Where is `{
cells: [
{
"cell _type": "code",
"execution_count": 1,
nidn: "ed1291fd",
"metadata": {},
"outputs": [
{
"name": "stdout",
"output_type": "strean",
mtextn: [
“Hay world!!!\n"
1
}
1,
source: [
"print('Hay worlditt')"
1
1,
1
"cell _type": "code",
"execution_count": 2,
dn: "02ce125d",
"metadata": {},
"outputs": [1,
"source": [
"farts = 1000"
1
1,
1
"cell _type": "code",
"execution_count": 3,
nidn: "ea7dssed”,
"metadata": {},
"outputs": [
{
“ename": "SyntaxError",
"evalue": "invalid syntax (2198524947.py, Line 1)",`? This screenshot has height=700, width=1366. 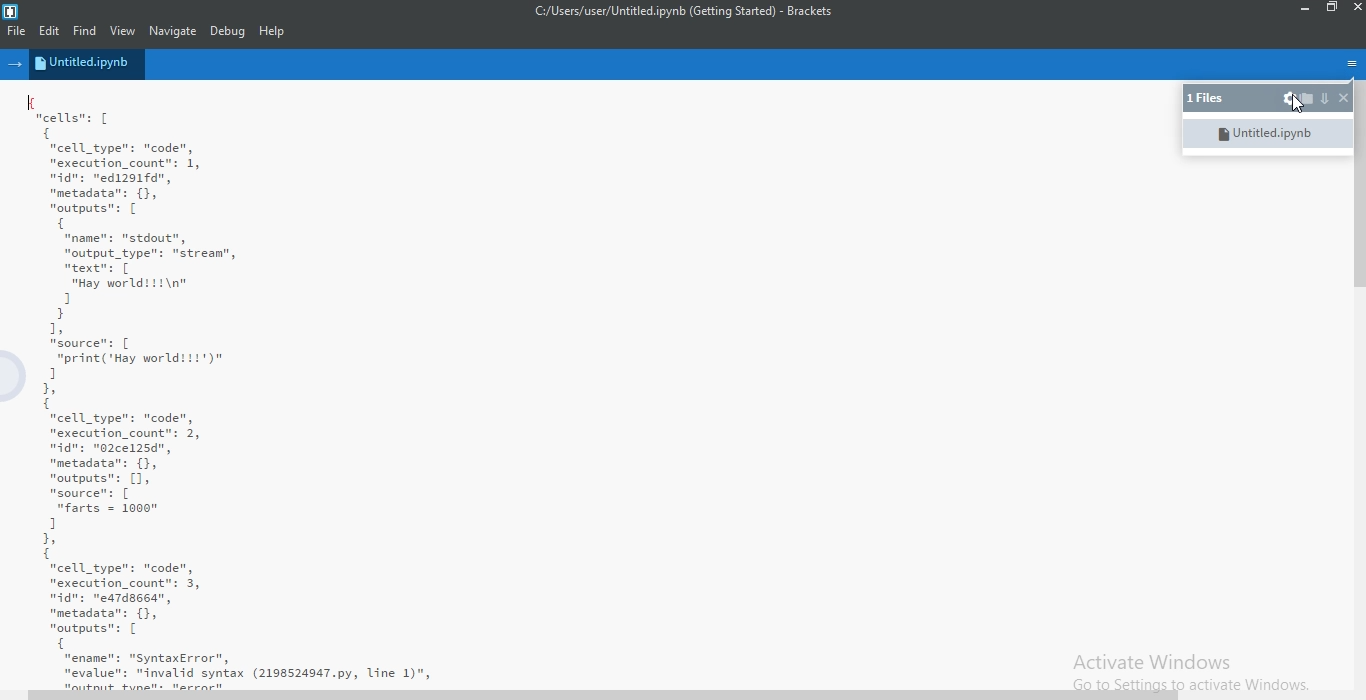
{
cells: [
{
"cell _type": "code",
"execution_count": 1,
nidn: "ed1291fd",
"metadata": {},
"outputs": [
{
"name": "stdout",
"output_type": "strean",
mtextn: [
“Hay world!!!\n"
1
}
1,
source: [
"print('Hay worlditt')"
1
1,
1
"cell _type": "code",
"execution_count": 2,
dn: "02ce125d",
"metadata": {},
"outputs": [1,
"source": [
"farts = 1000"
1
1,
1
"cell _type": "code",
"execution_count": 3,
nidn: "ea7dssed”,
"metadata": {},
"outputs": [
{
“ename": "SyntaxError",
"evalue": "invalid syntax (2198524947.py, Line 1)", is located at coordinates (584, 388).